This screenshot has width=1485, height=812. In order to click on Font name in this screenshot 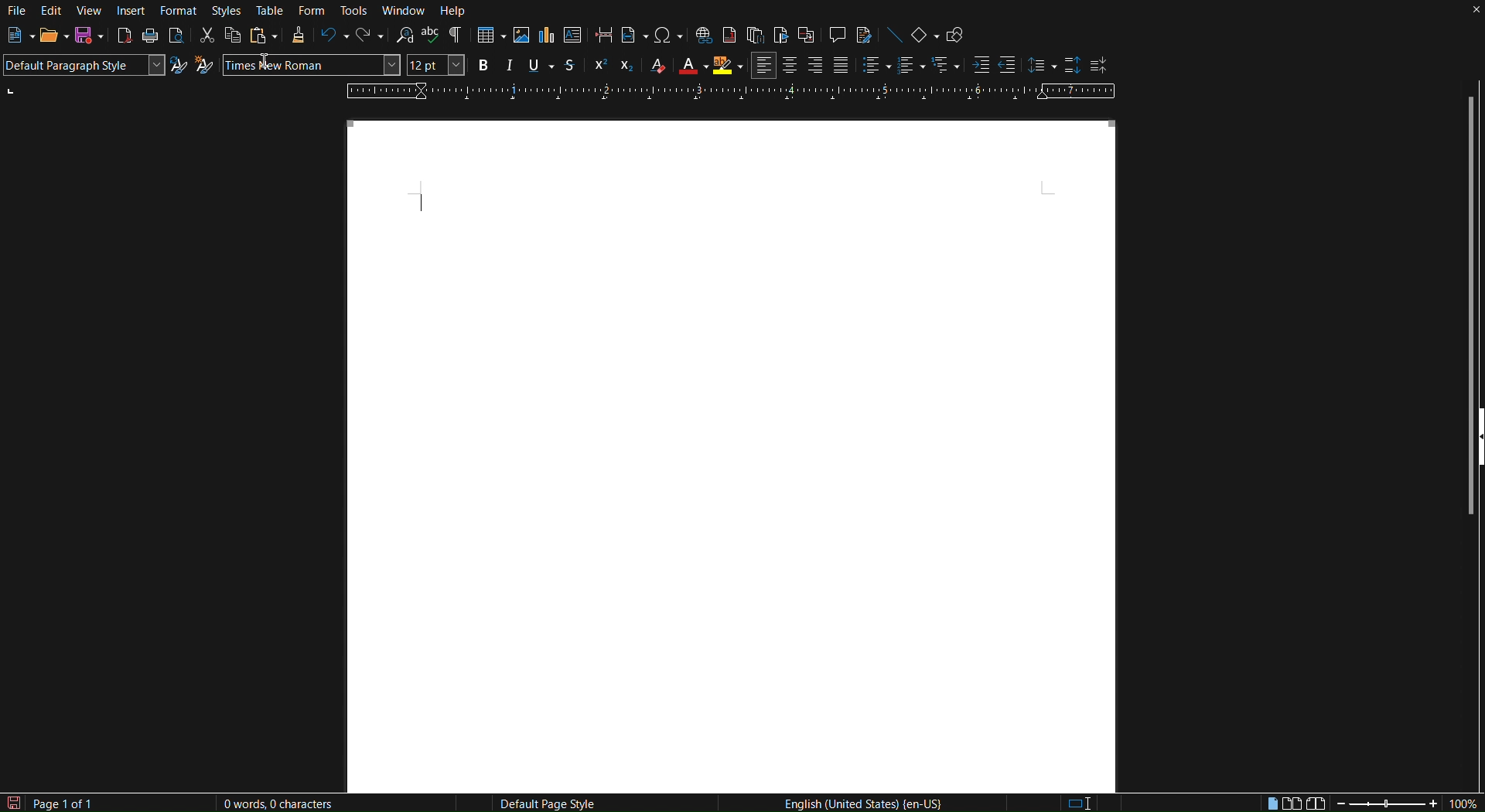, I will do `click(384, 65)`.